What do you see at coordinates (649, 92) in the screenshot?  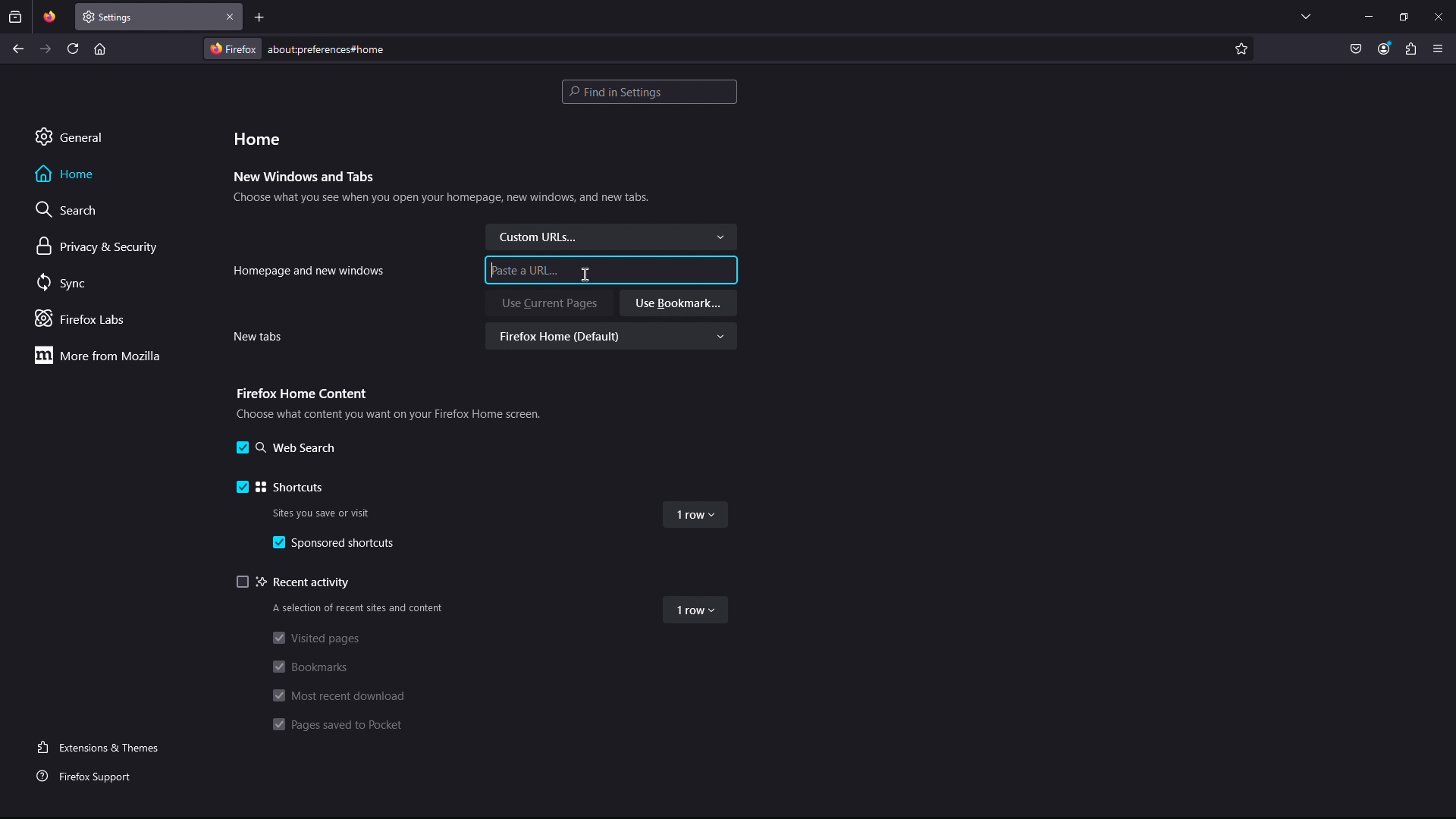 I see `Search bar` at bounding box center [649, 92].